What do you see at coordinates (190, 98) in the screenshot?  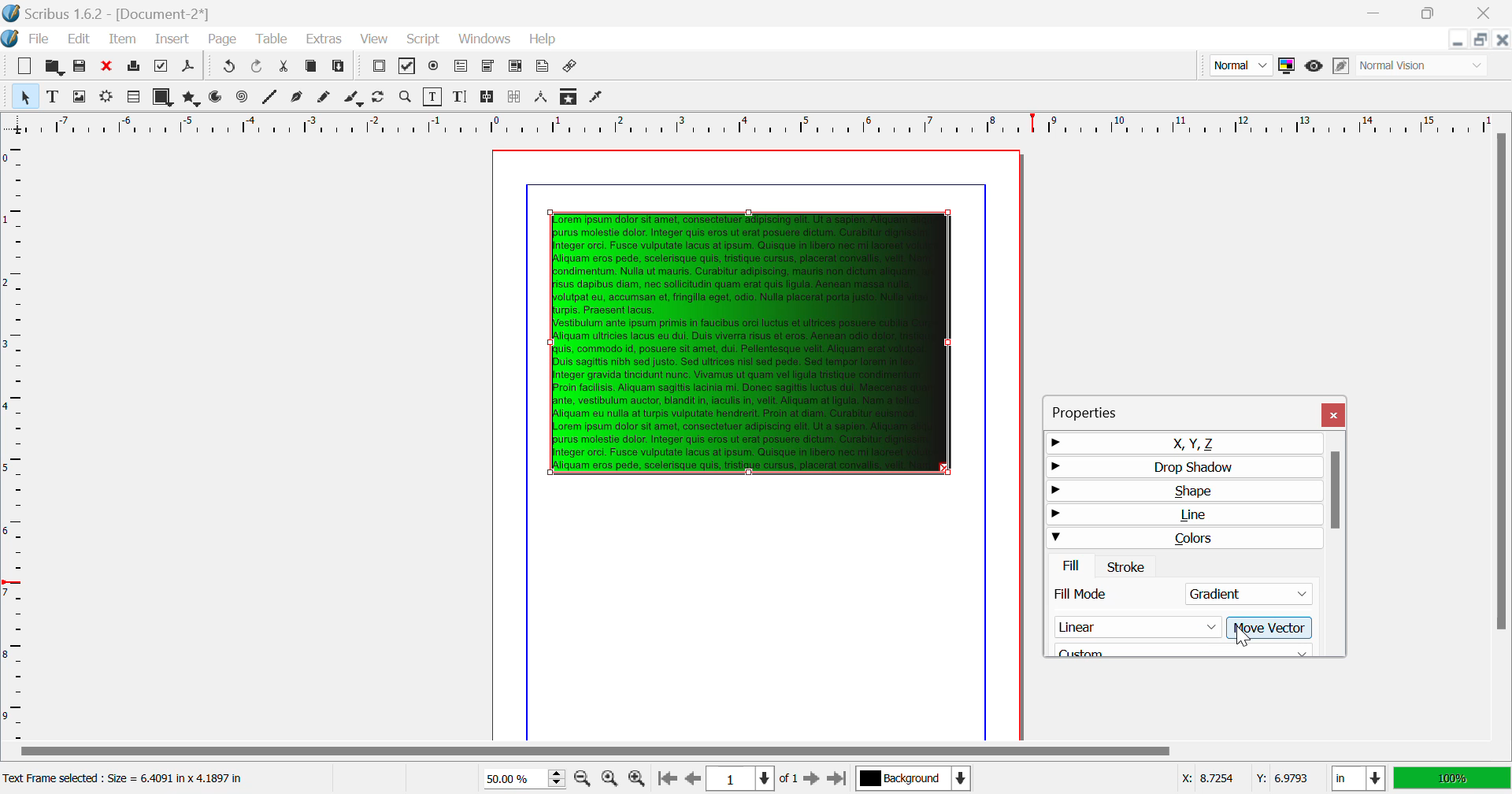 I see `Polygons` at bounding box center [190, 98].